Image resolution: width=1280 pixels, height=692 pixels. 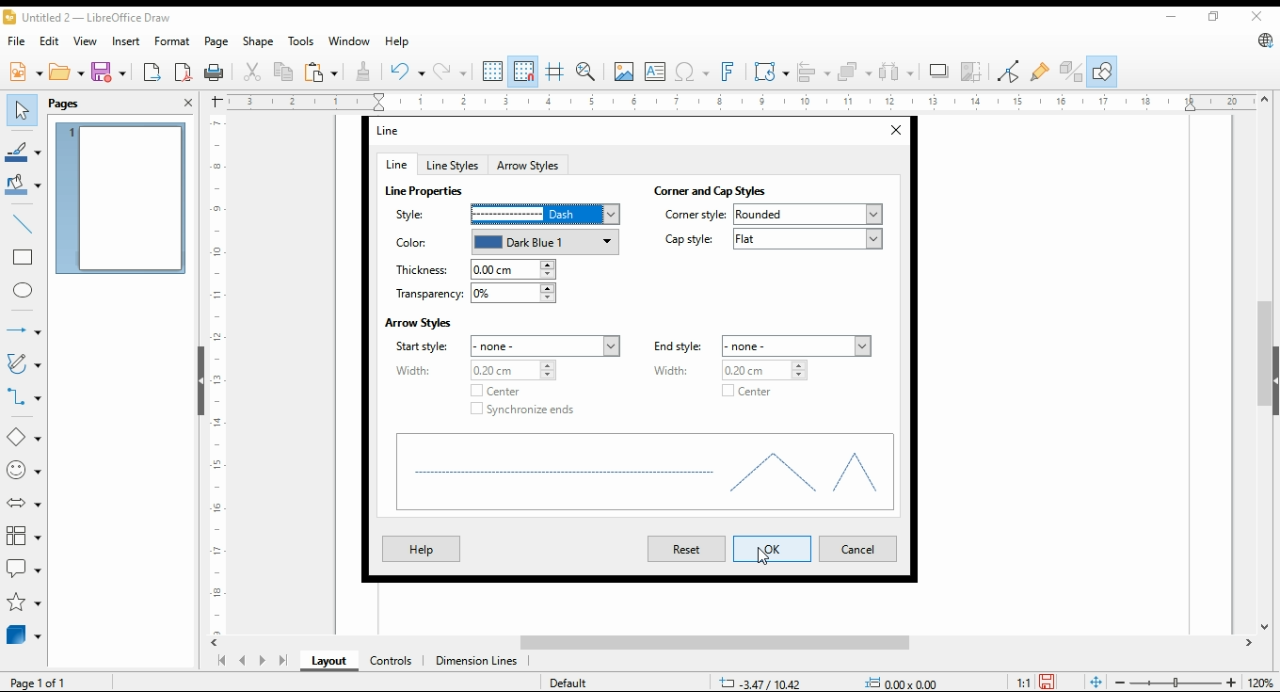 I want to click on restore, so click(x=1217, y=17).